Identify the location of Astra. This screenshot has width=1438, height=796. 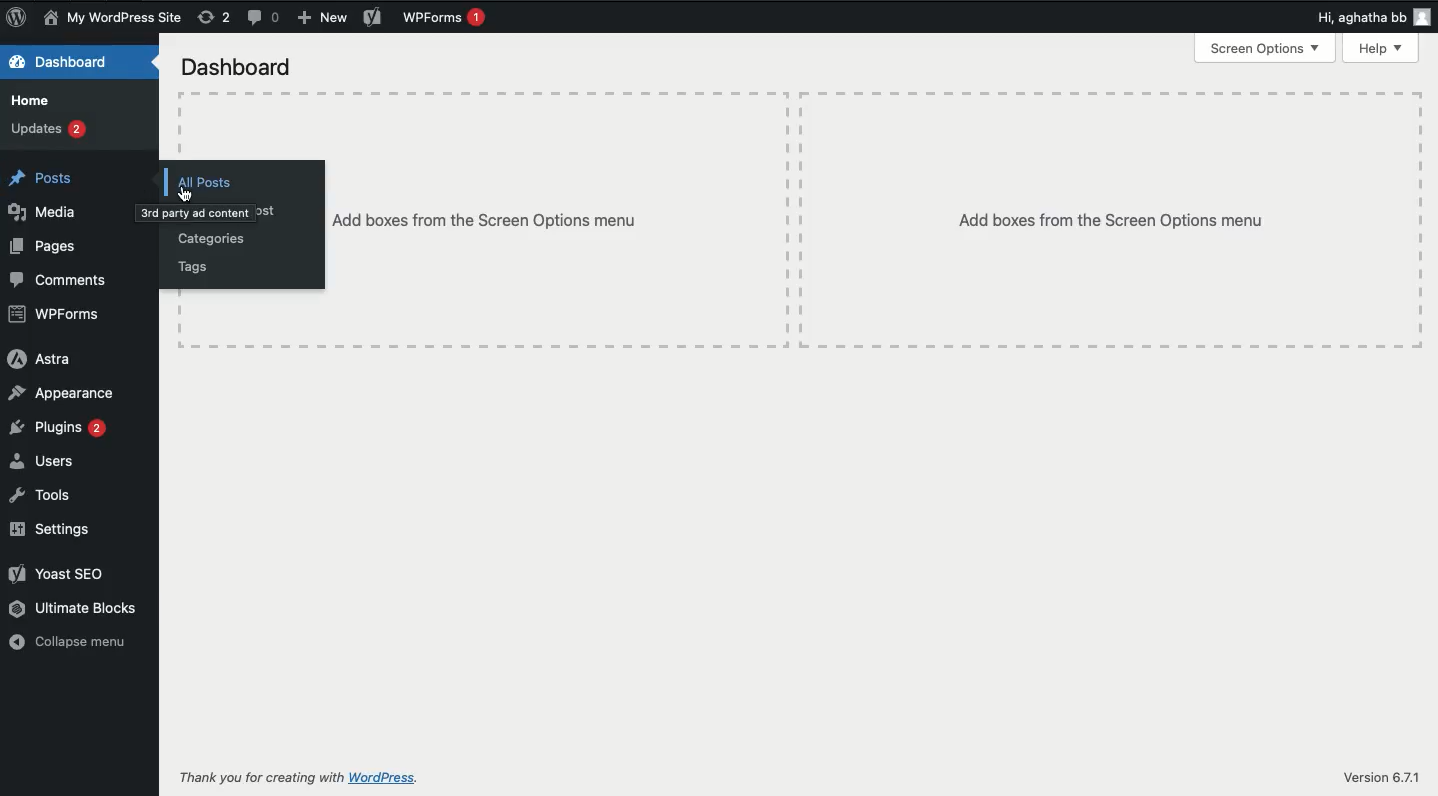
(39, 361).